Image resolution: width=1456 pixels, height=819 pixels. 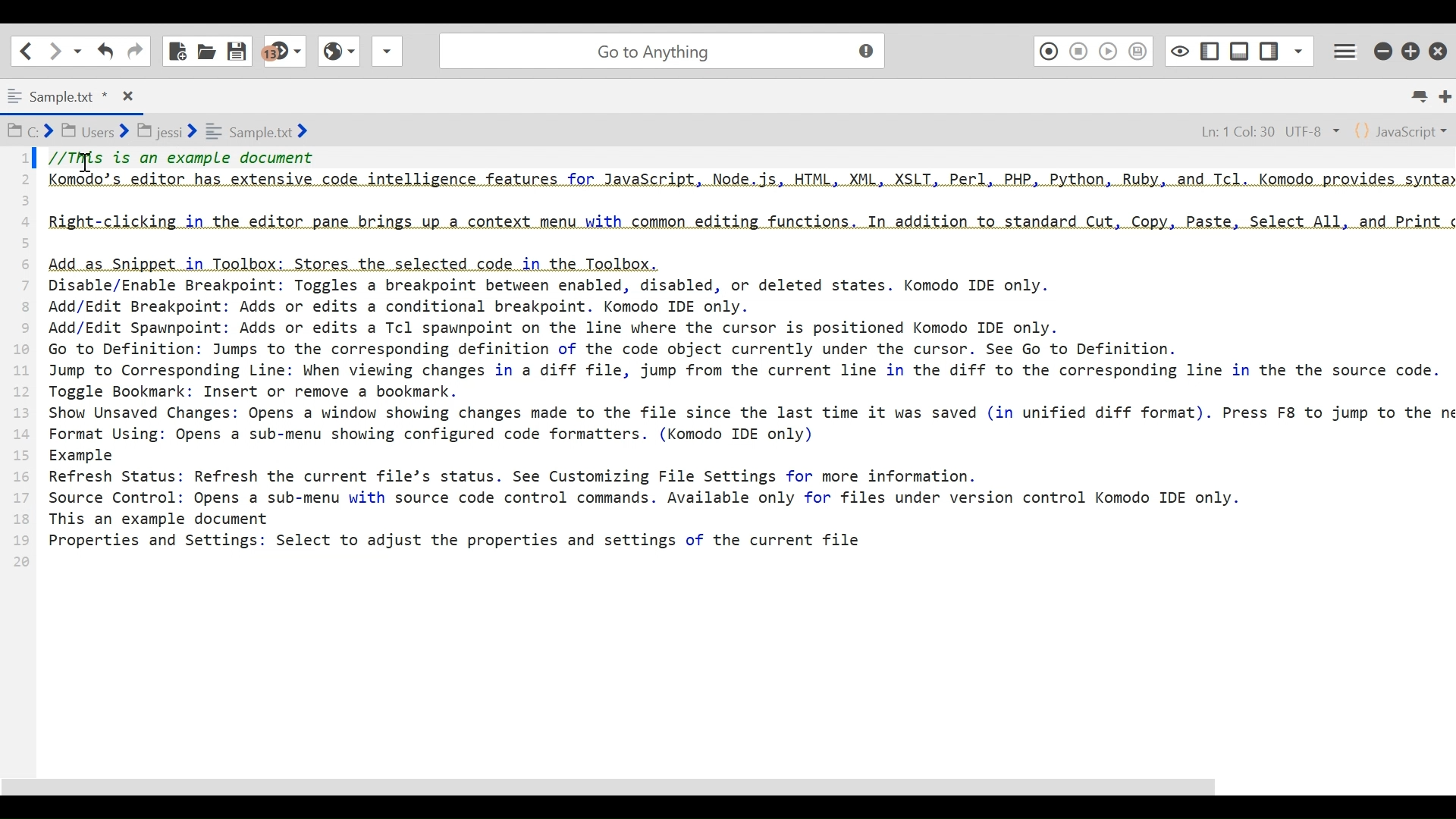 What do you see at coordinates (178, 49) in the screenshot?
I see `New File` at bounding box center [178, 49].